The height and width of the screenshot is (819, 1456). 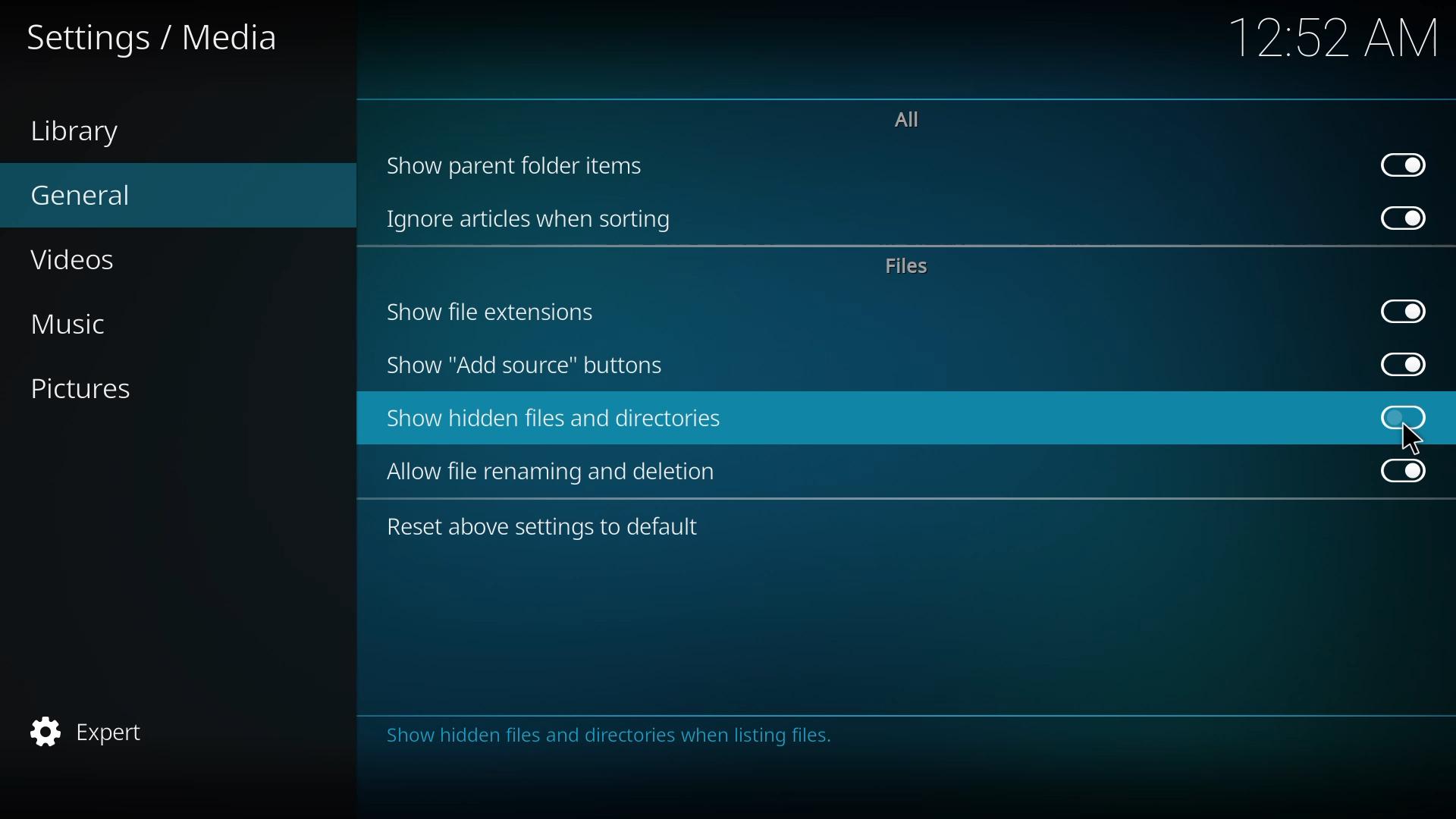 What do you see at coordinates (100, 391) in the screenshot?
I see `pictures` at bounding box center [100, 391].